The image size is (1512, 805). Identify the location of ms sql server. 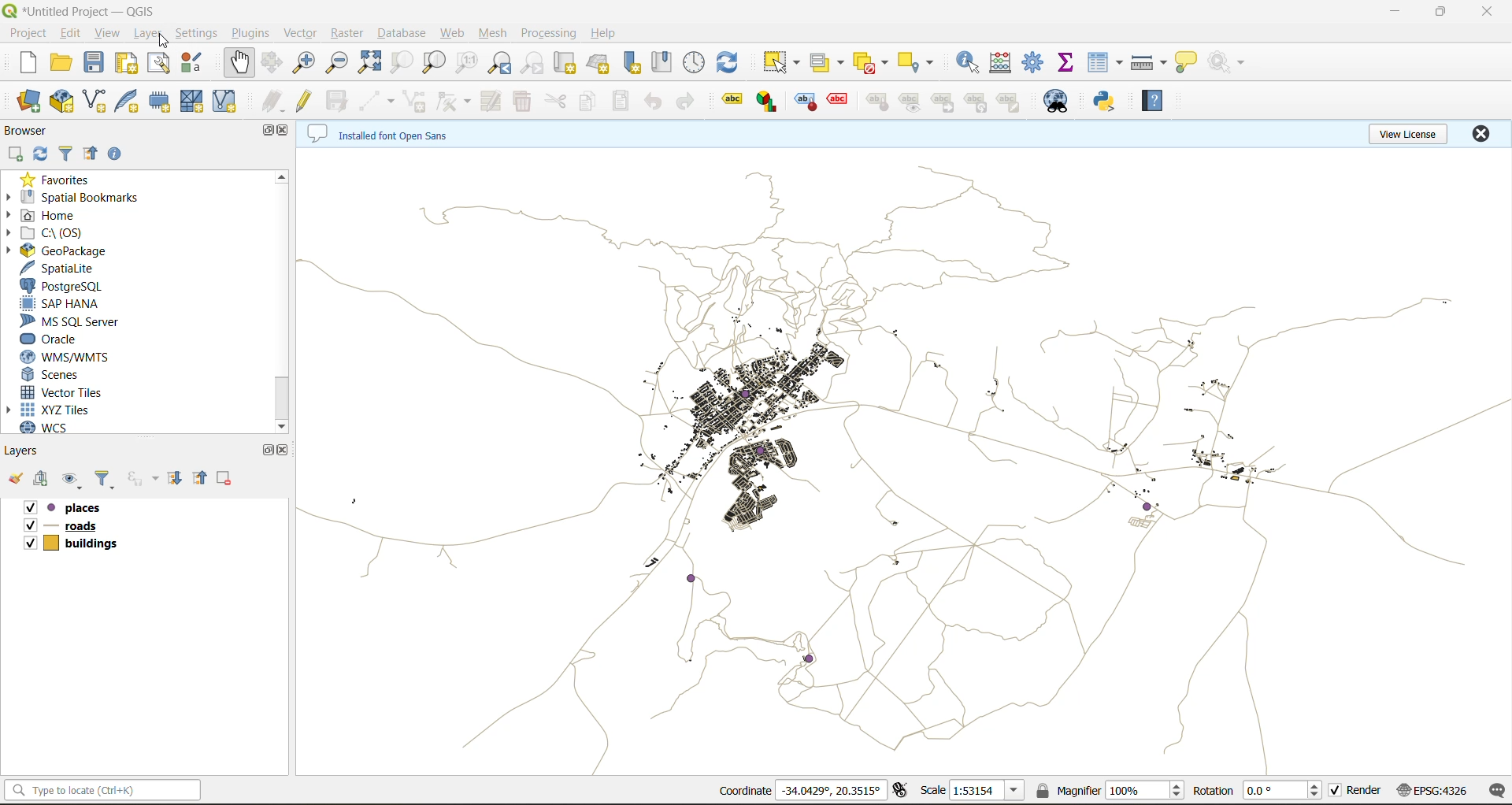
(74, 321).